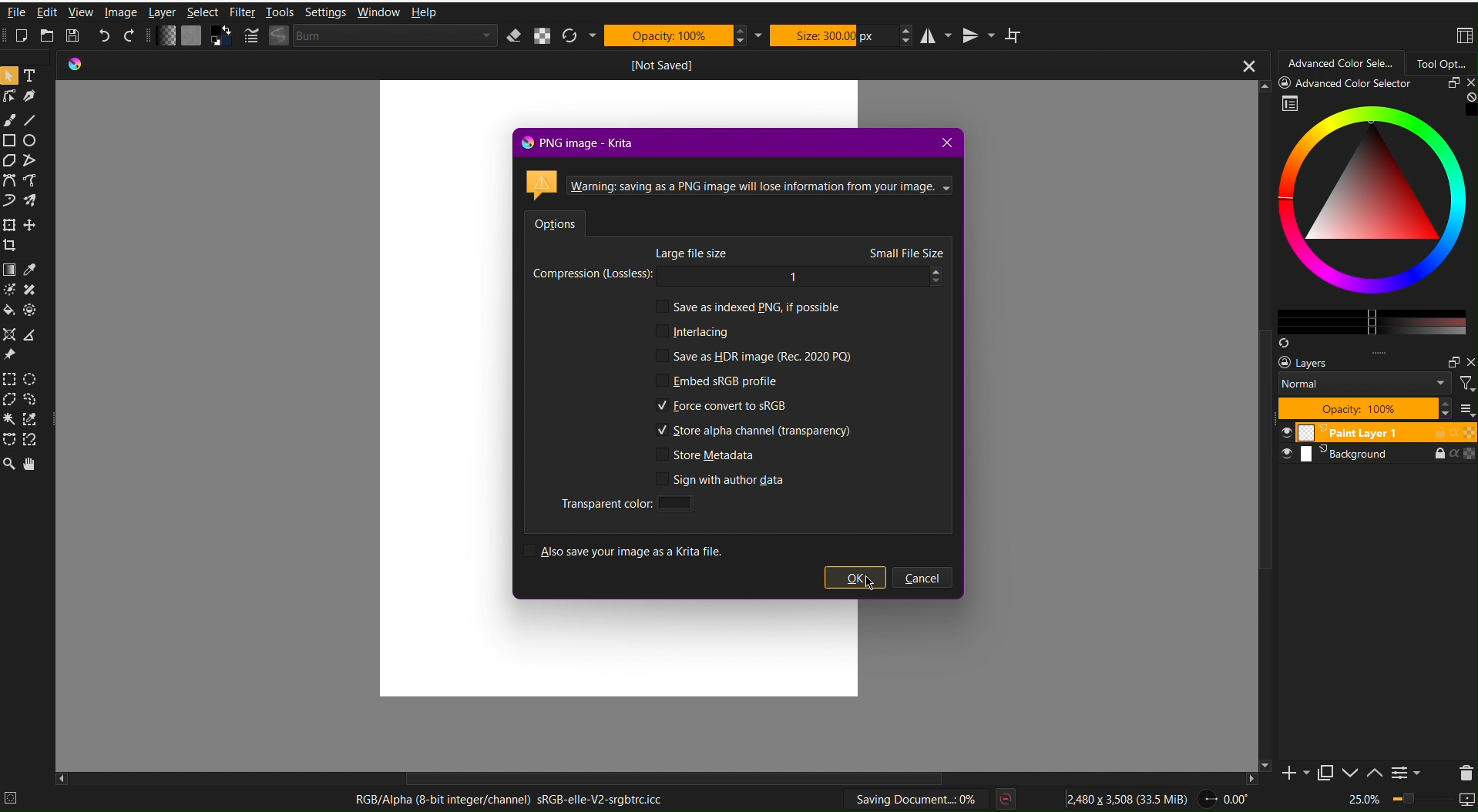  Describe the element at coordinates (160, 12) in the screenshot. I see `Layer` at that location.